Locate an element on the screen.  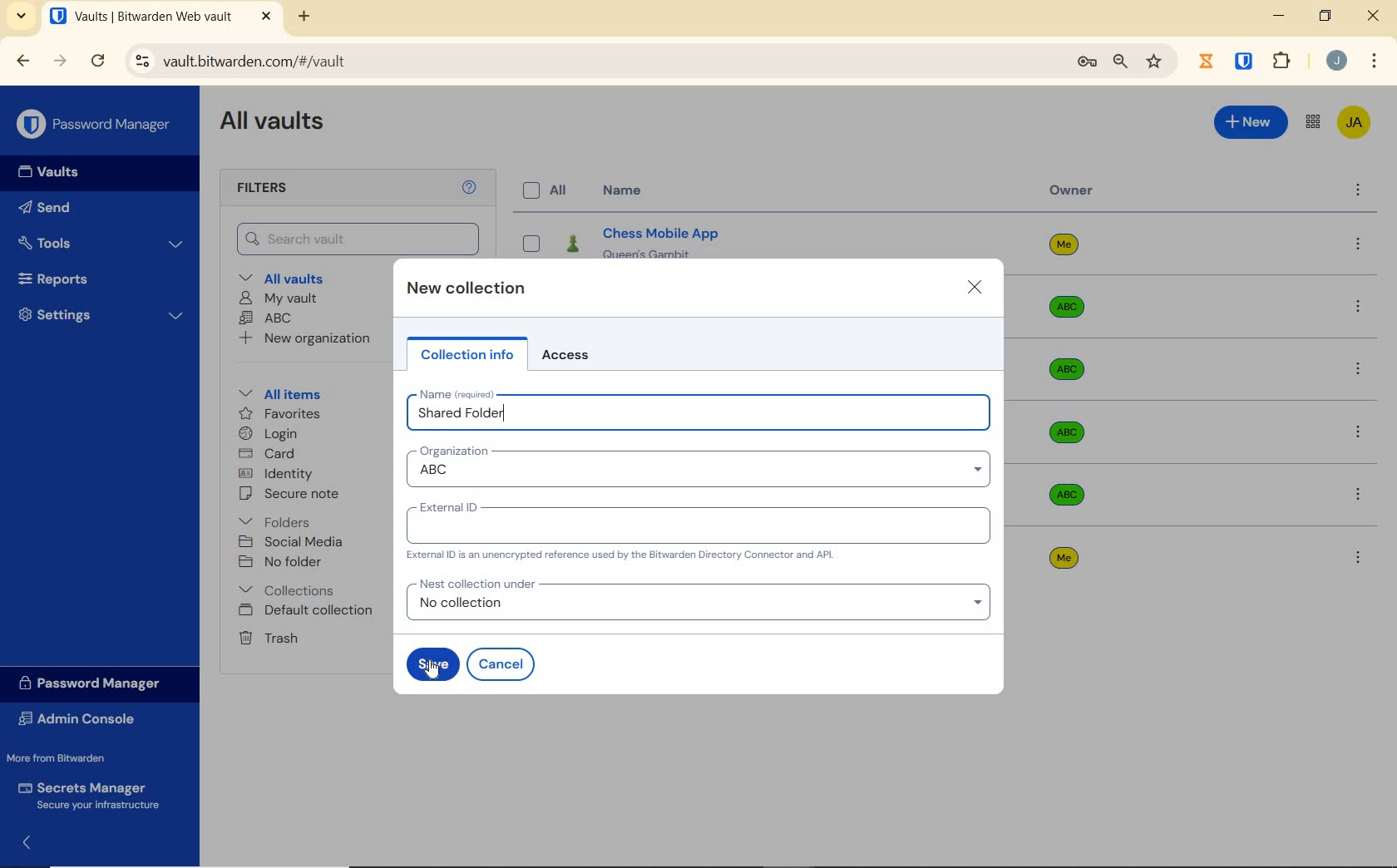
Collection Info is located at coordinates (467, 356).